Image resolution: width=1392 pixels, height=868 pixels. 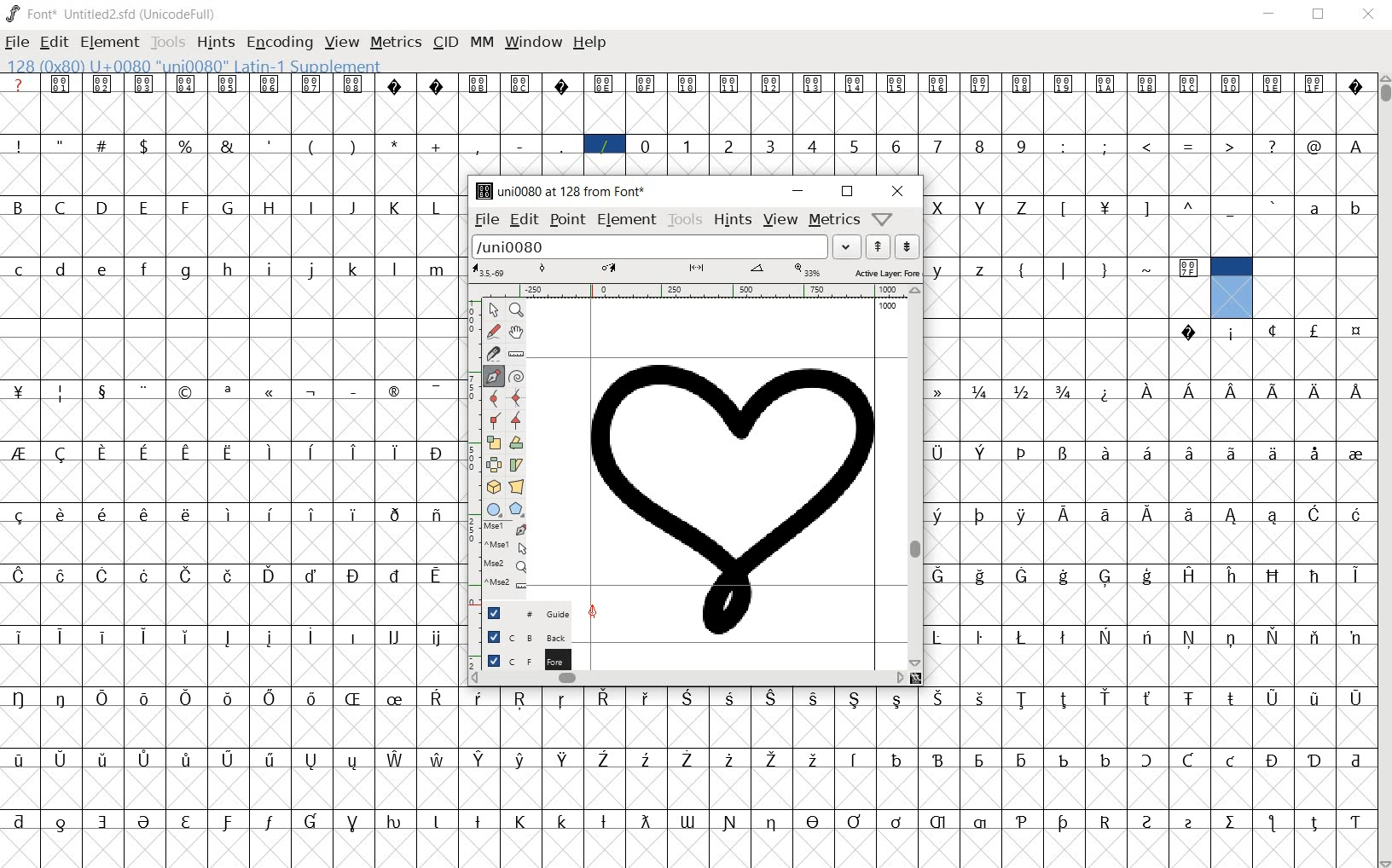 I want to click on SCROLLBAR, so click(x=1383, y=472).